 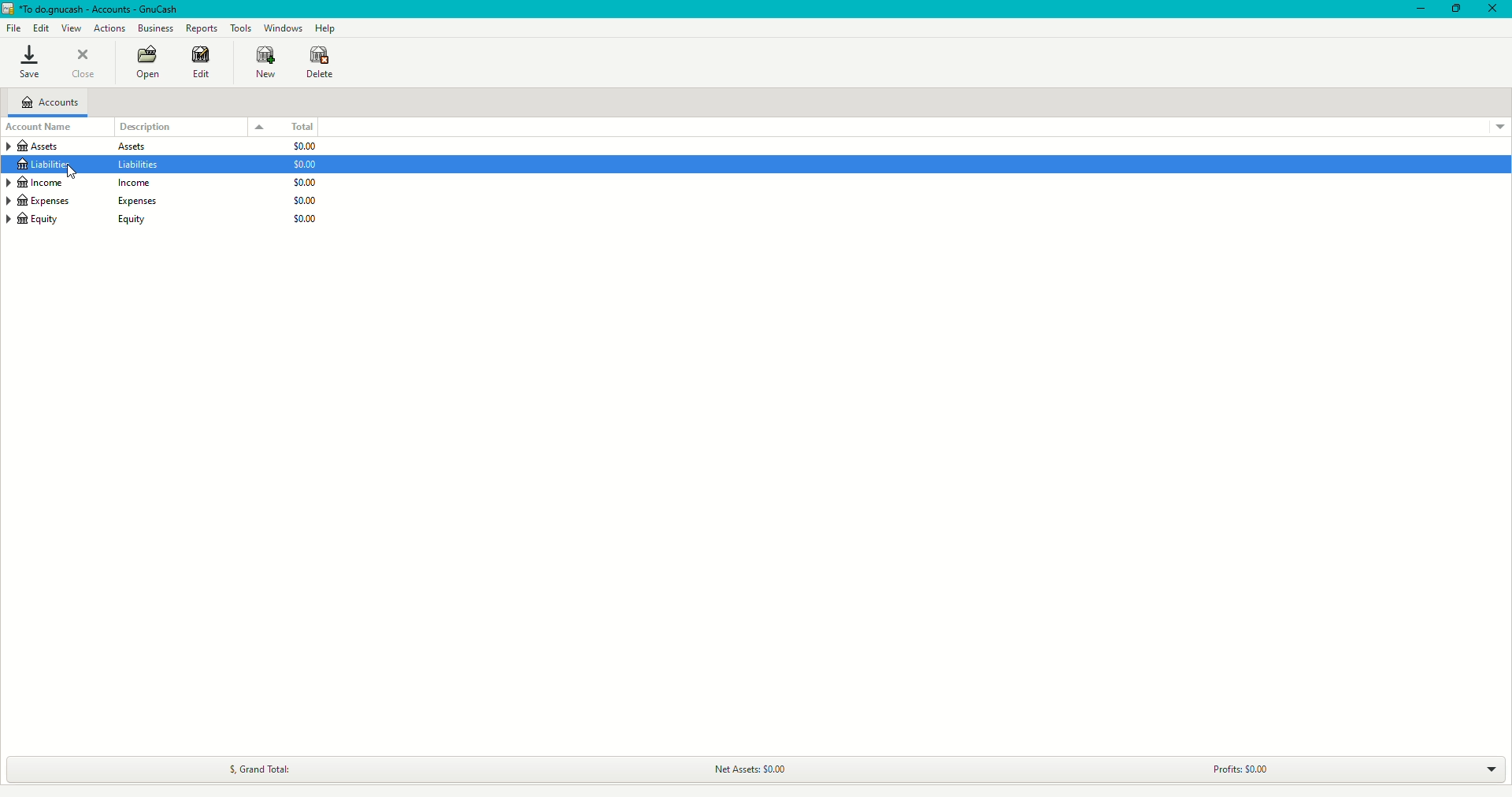 I want to click on Save, so click(x=30, y=63).